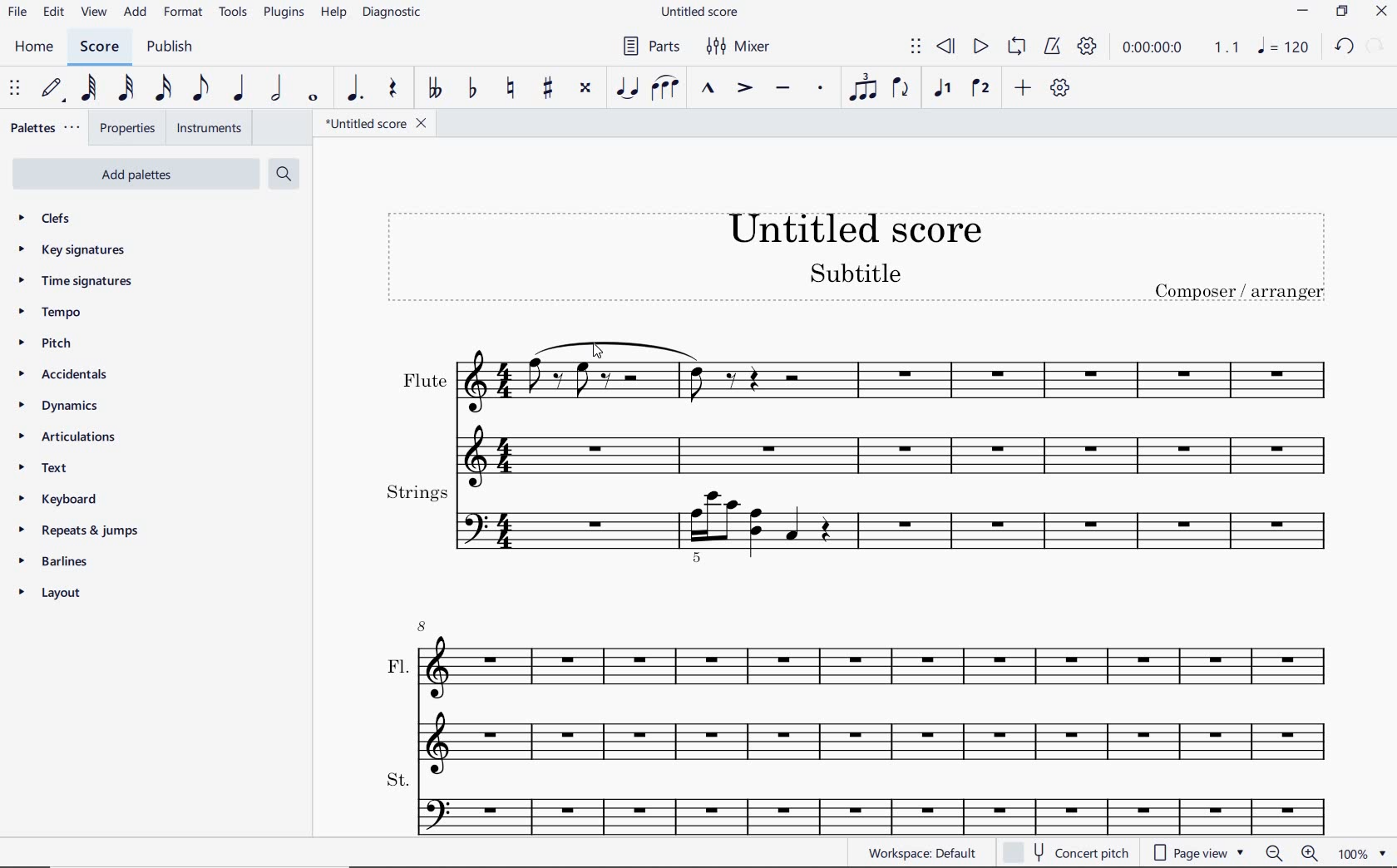 Image resolution: width=1397 pixels, height=868 pixels. I want to click on VOICE 2, so click(981, 89).